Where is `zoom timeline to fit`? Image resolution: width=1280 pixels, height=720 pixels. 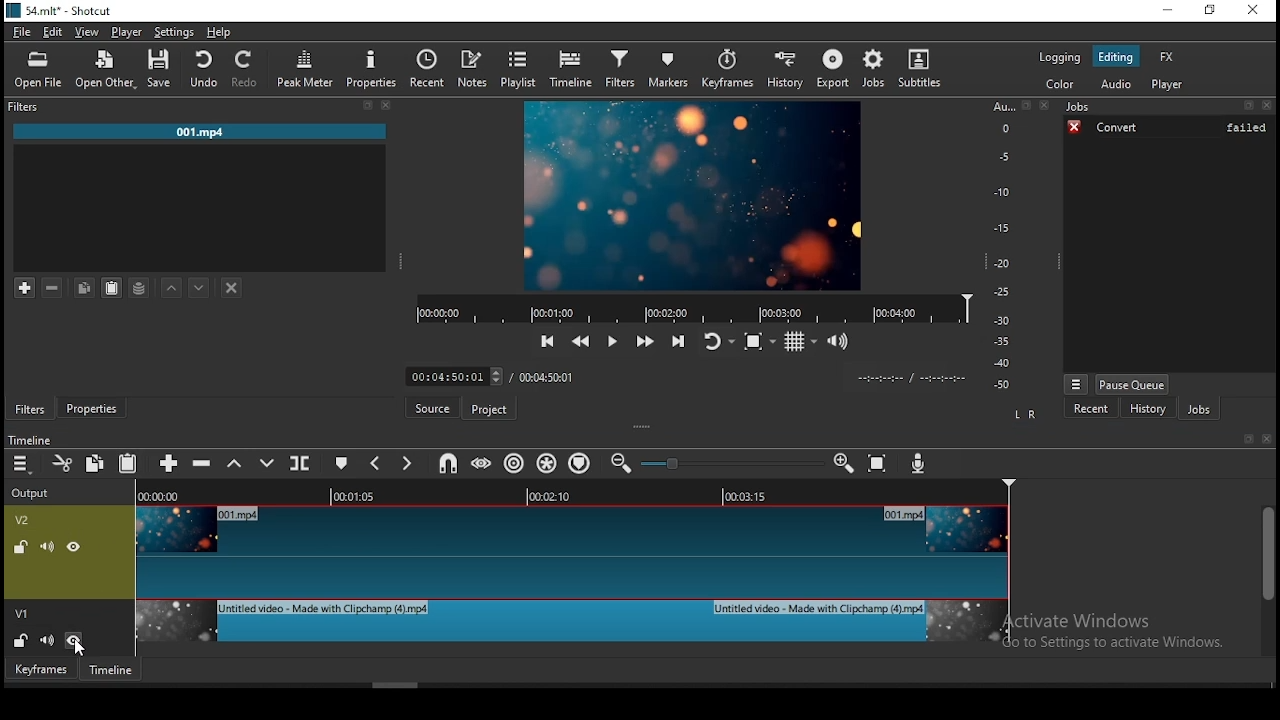
zoom timeline to fit is located at coordinates (877, 464).